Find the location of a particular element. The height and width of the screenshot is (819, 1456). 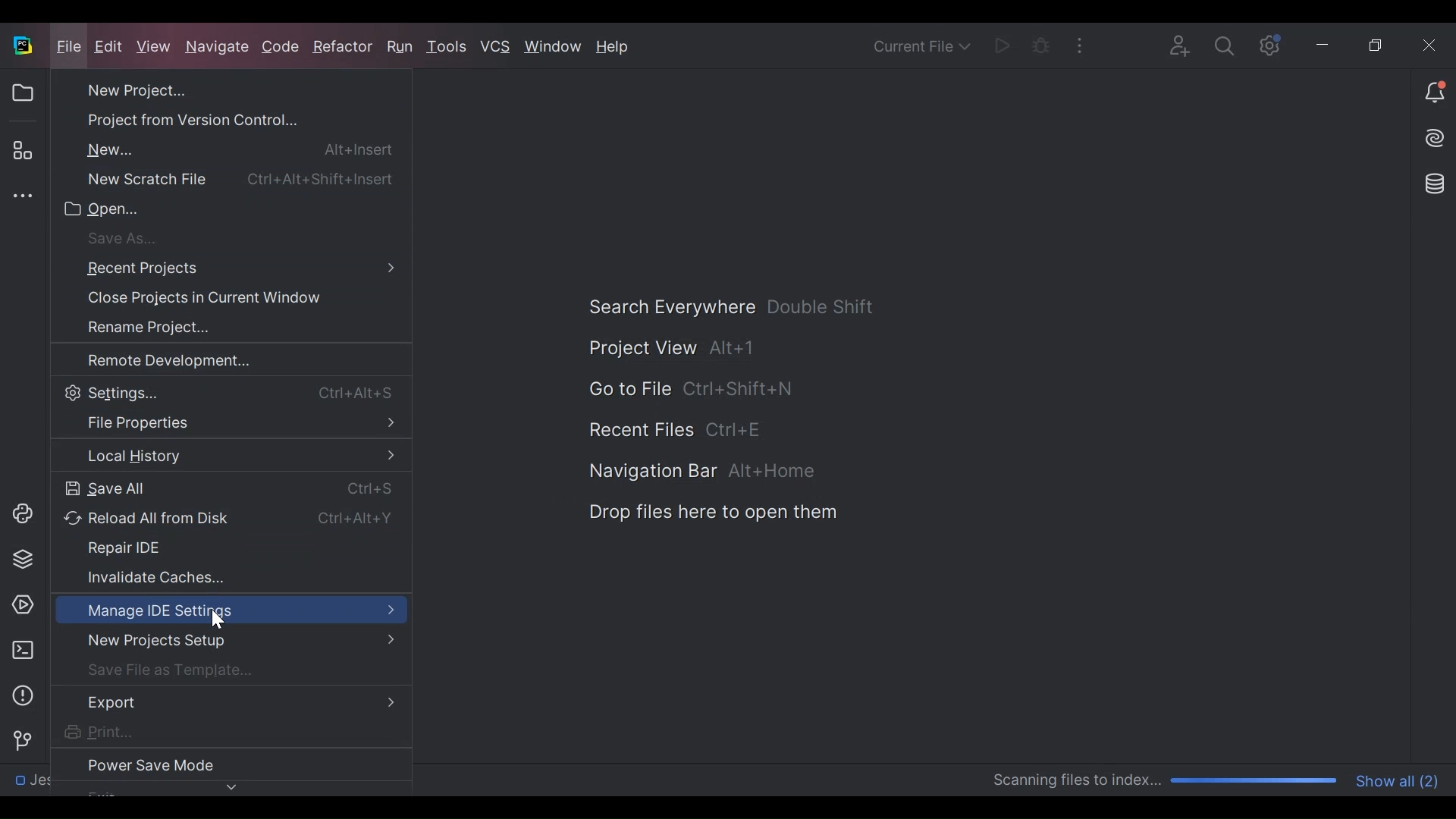

Remote Development is located at coordinates (209, 360).